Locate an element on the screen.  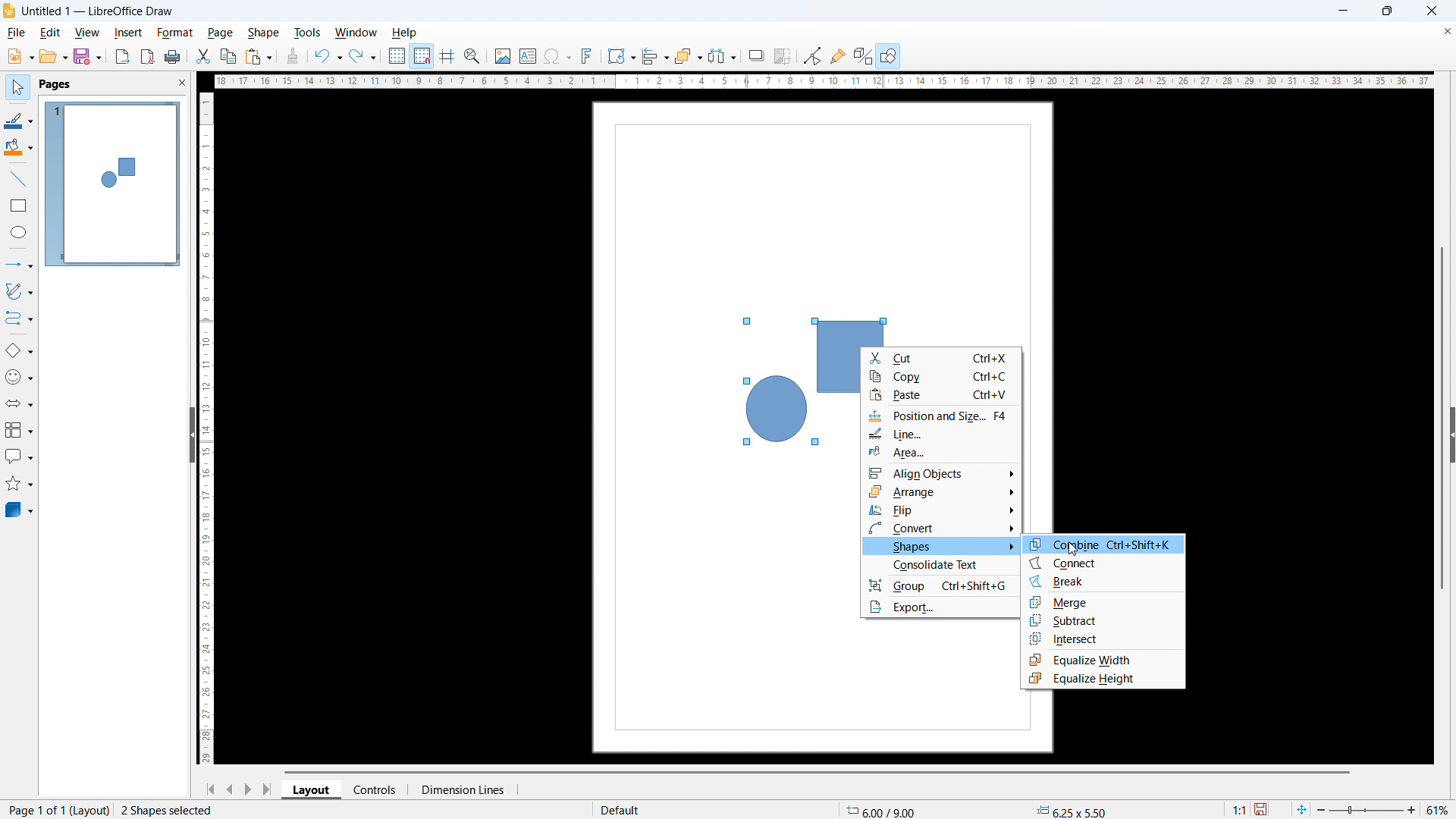
cursor coordinate is located at coordinates (884, 810).